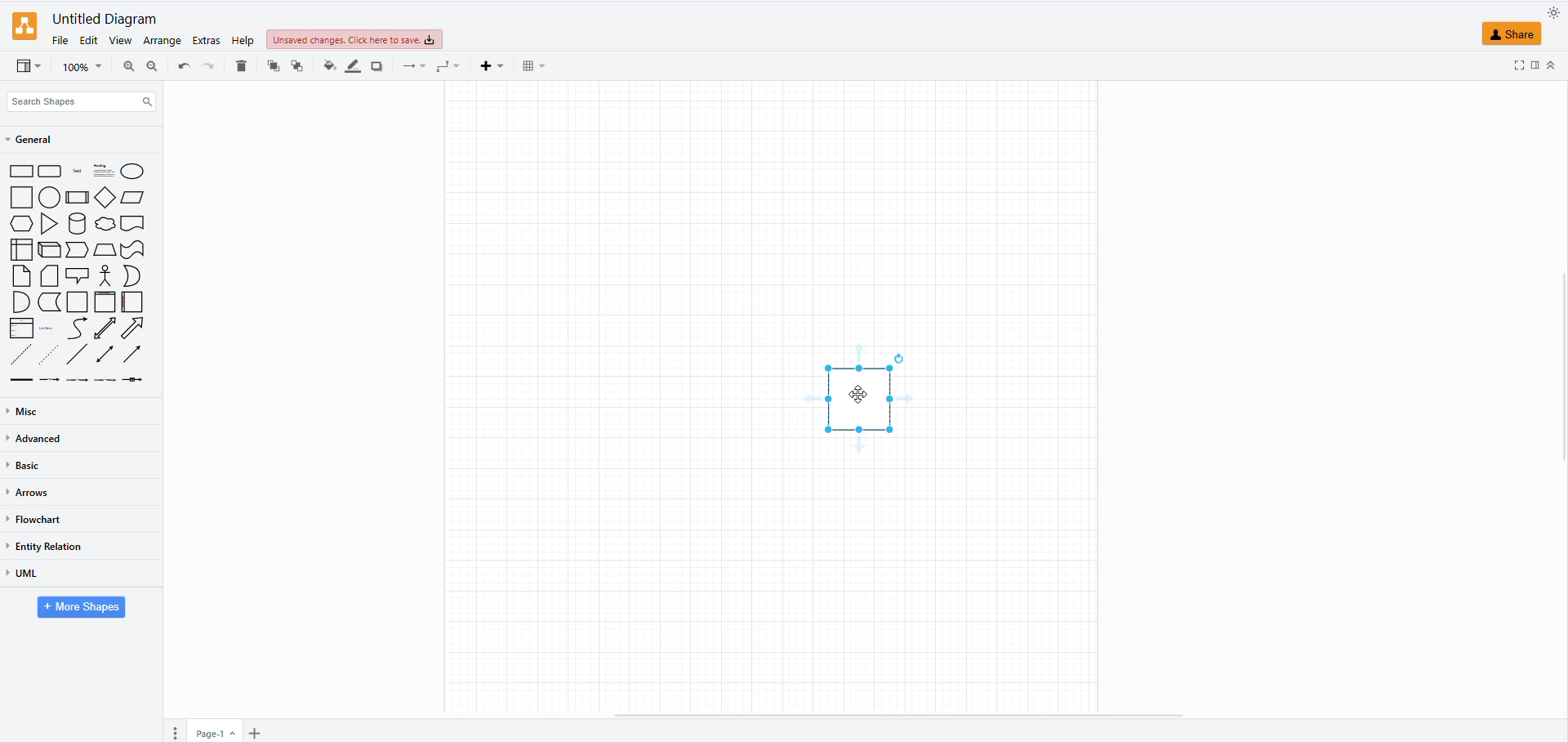  I want to click on directional container, so click(136, 357).